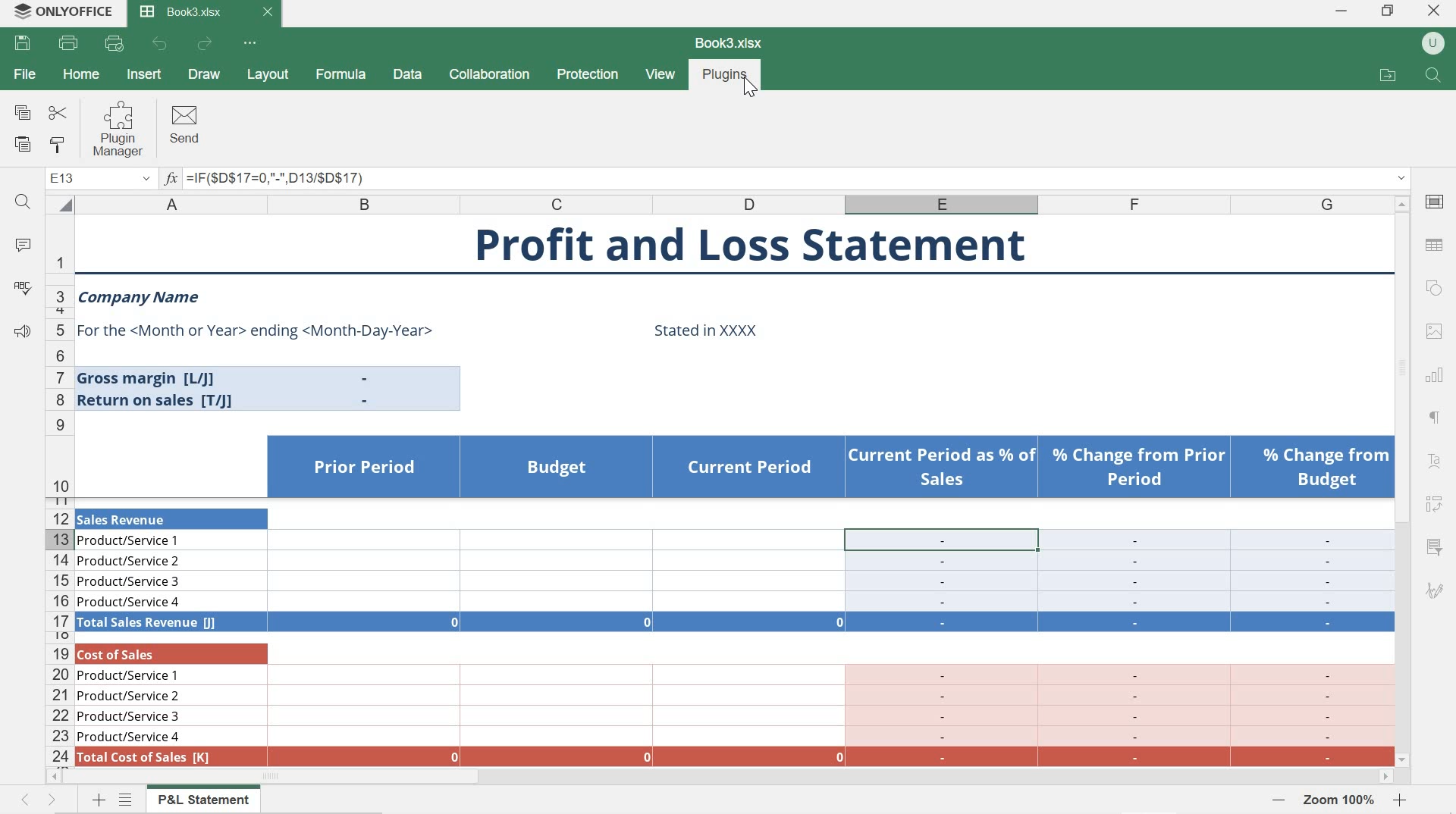  I want to click on zoom in, so click(1401, 800).